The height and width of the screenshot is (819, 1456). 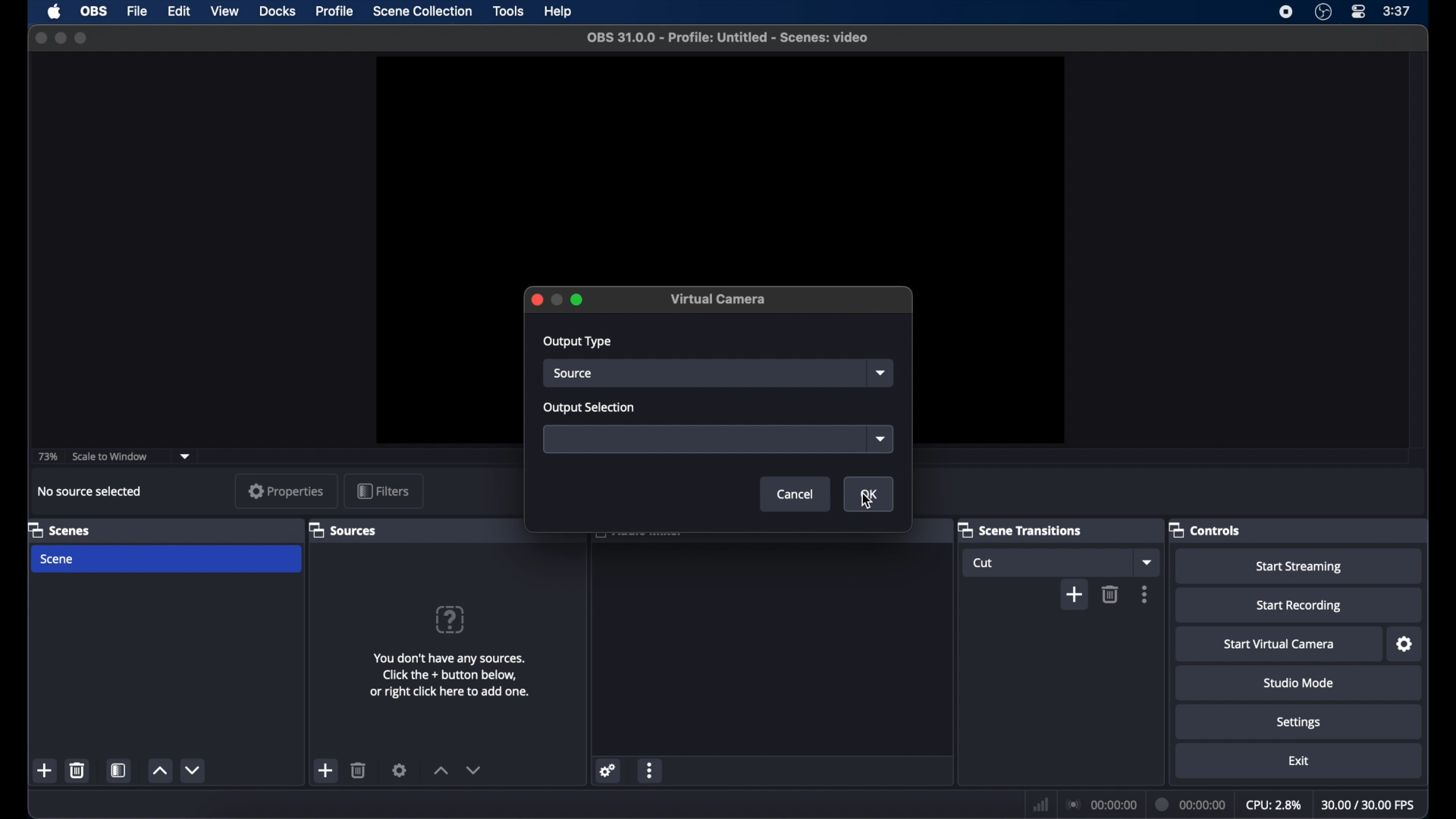 I want to click on obS 31.0.0 - Profile: Untitled - Scenes: video, so click(x=740, y=39).